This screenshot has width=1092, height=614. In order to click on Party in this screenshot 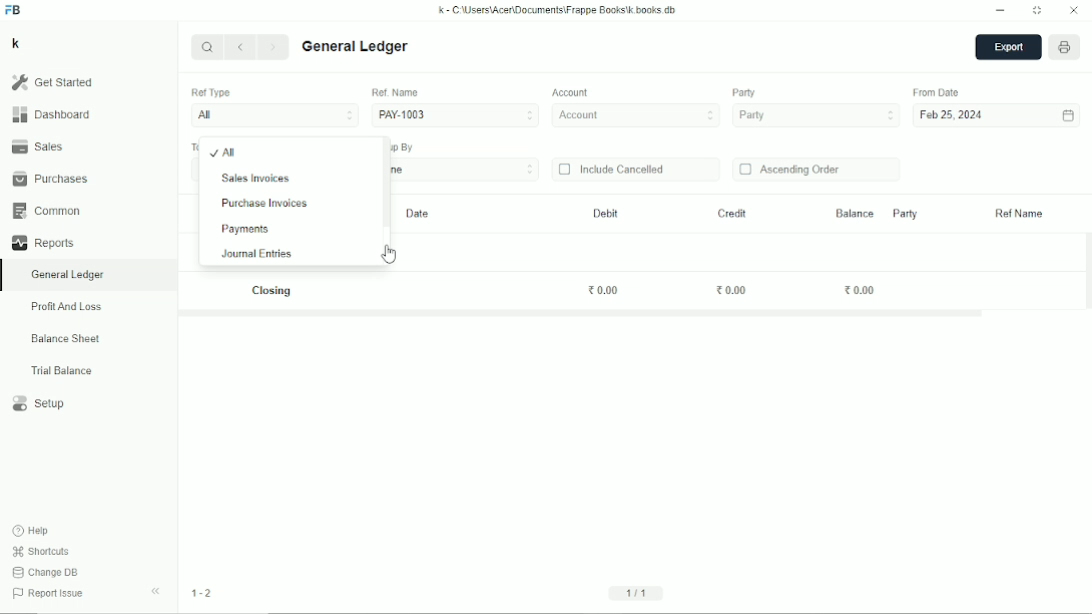, I will do `click(816, 116)`.